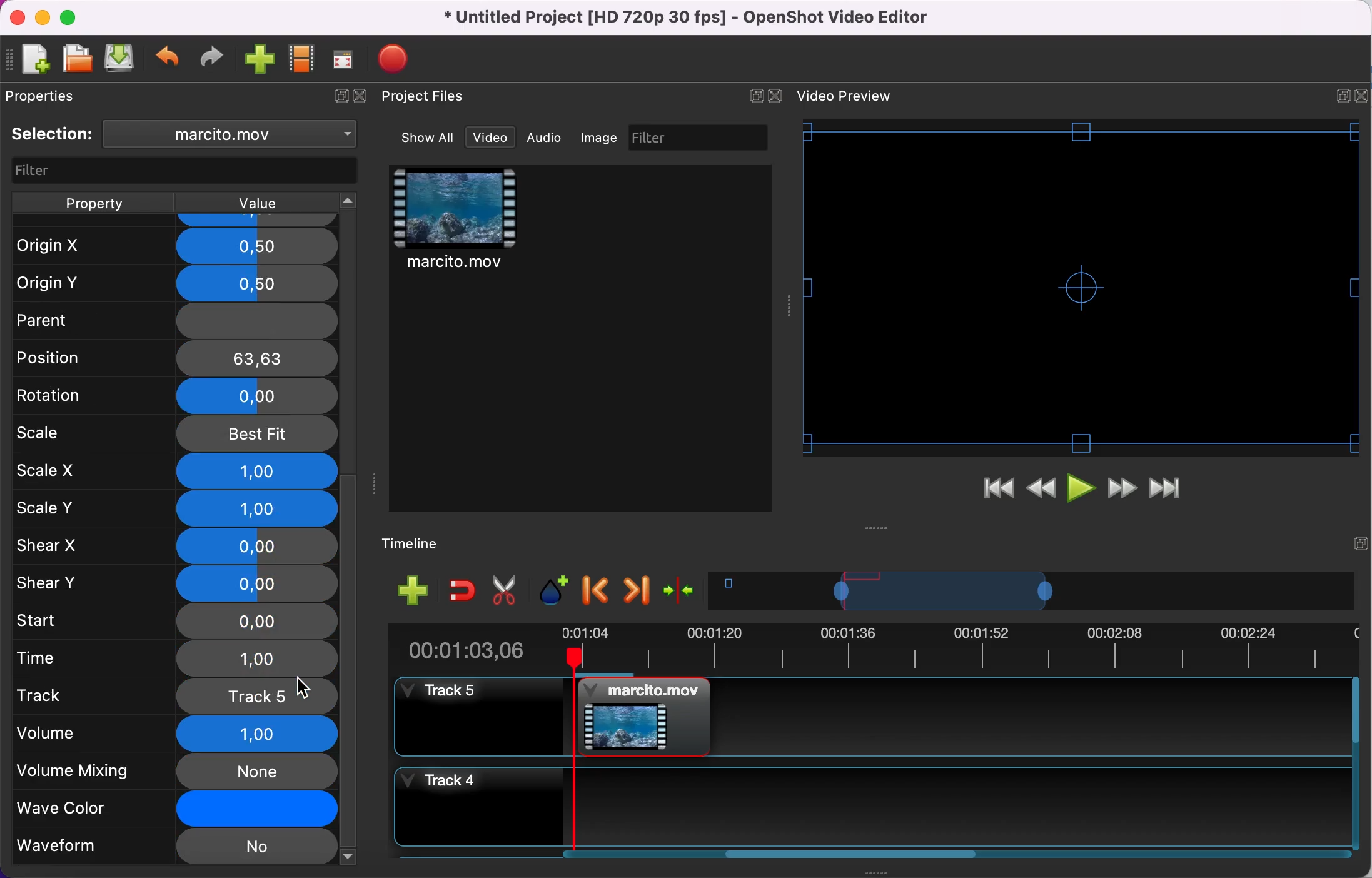 Image resolution: width=1372 pixels, height=878 pixels. What do you see at coordinates (303, 59) in the screenshot?
I see `choose profile` at bounding box center [303, 59].